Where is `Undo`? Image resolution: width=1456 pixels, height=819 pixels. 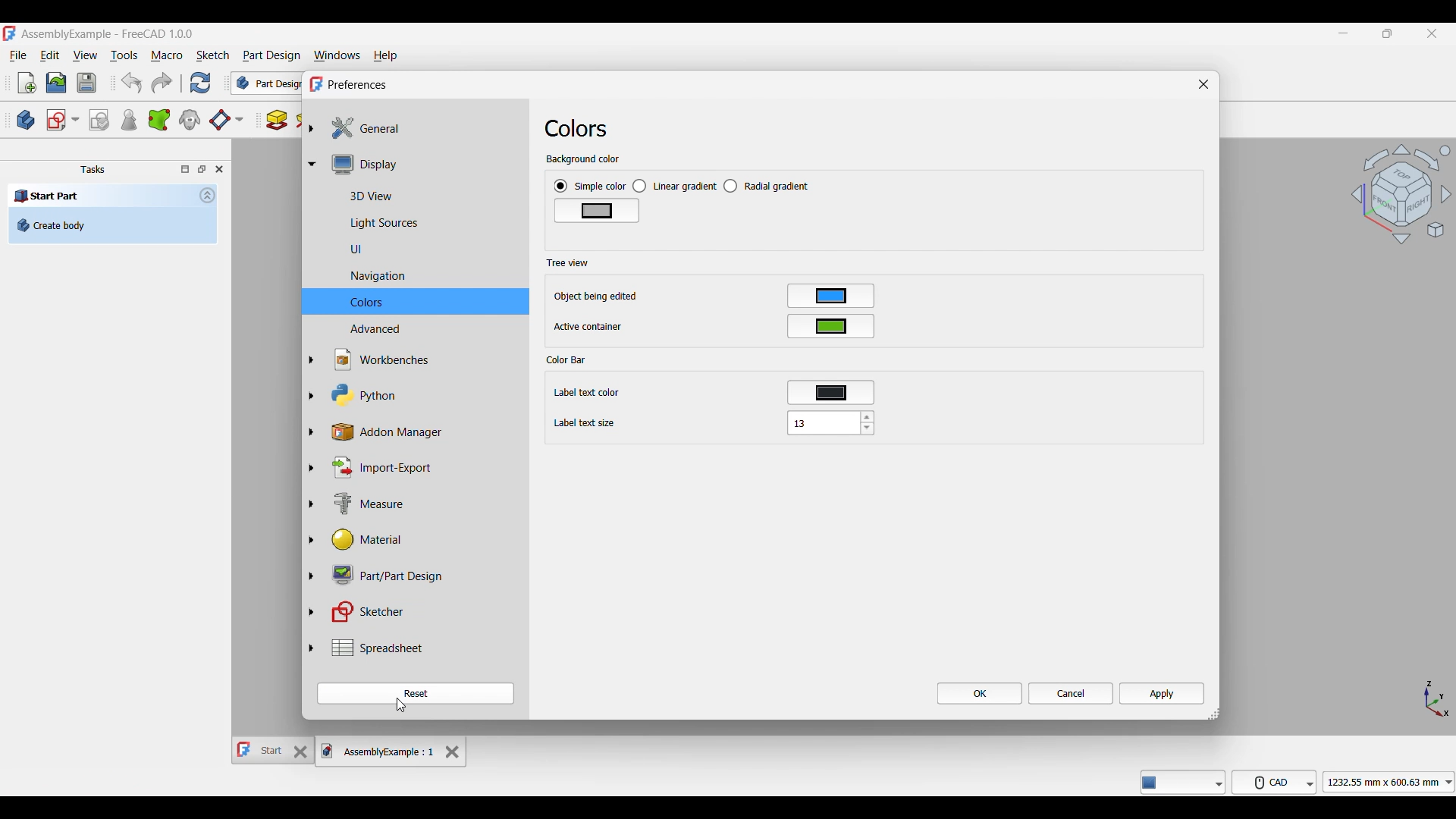 Undo is located at coordinates (132, 83).